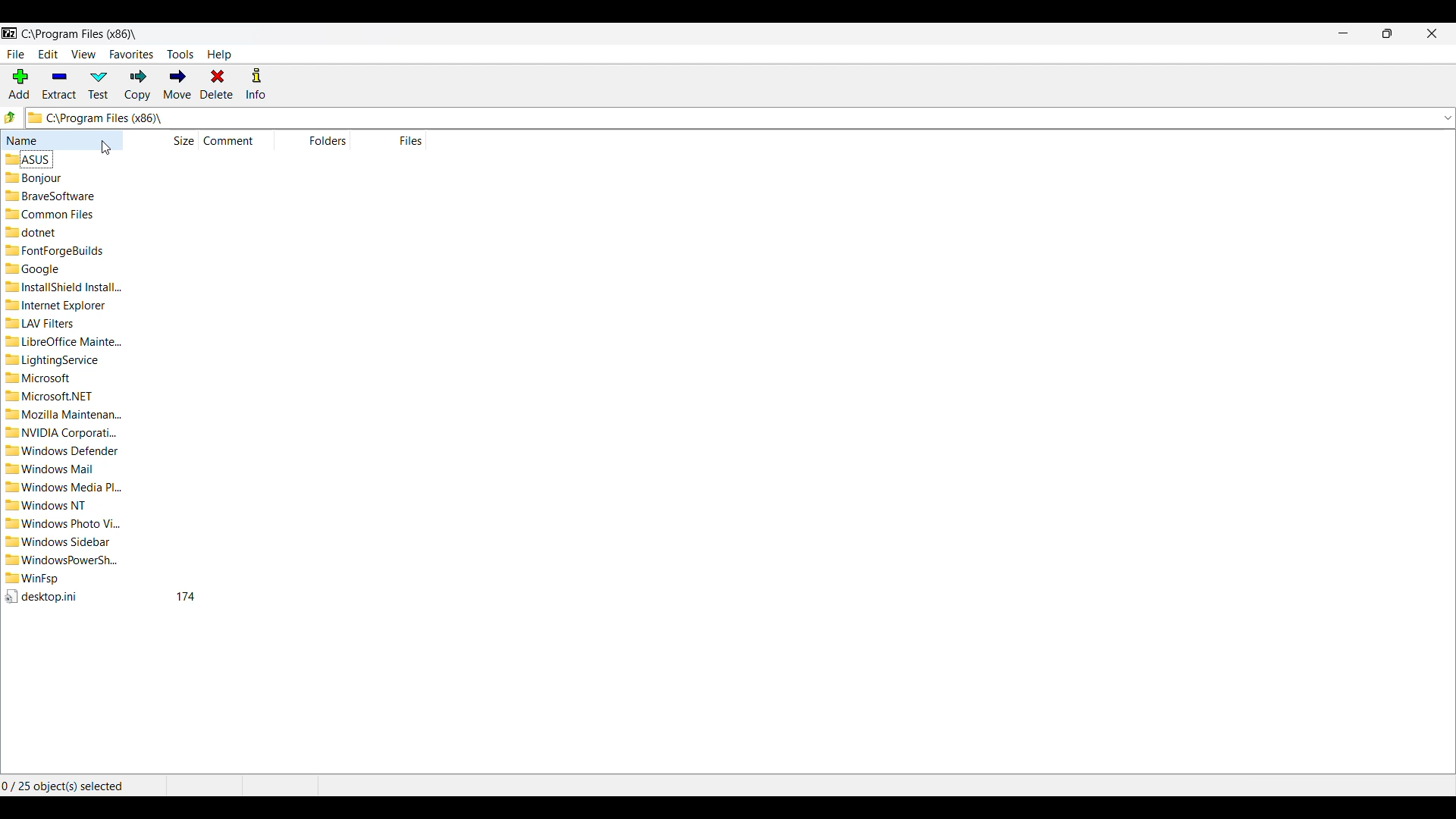 This screenshot has height=819, width=1456. What do you see at coordinates (64, 286) in the screenshot?
I see `InstalShield Install..` at bounding box center [64, 286].